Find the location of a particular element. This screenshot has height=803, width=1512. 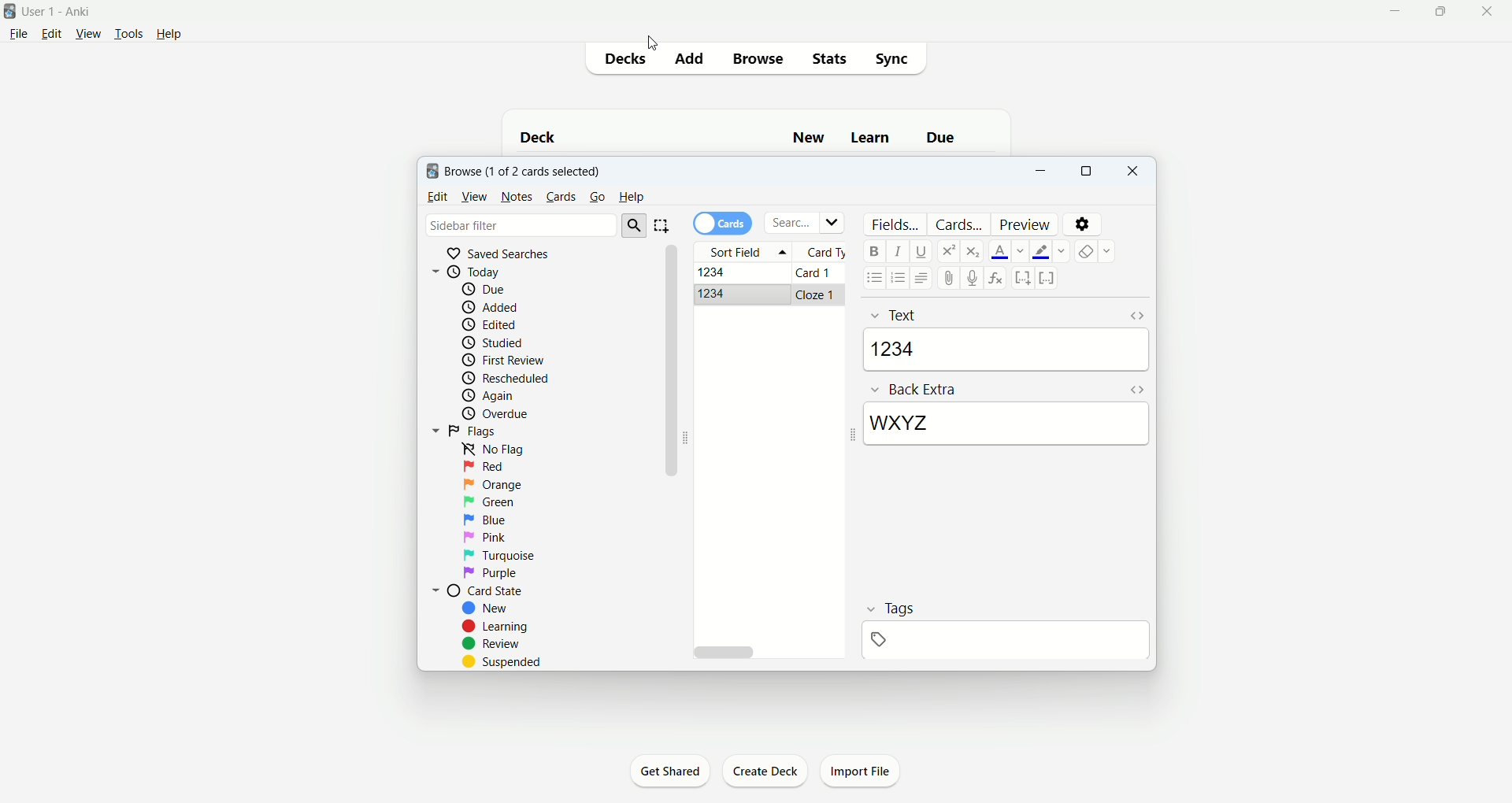

no flag is located at coordinates (492, 450).